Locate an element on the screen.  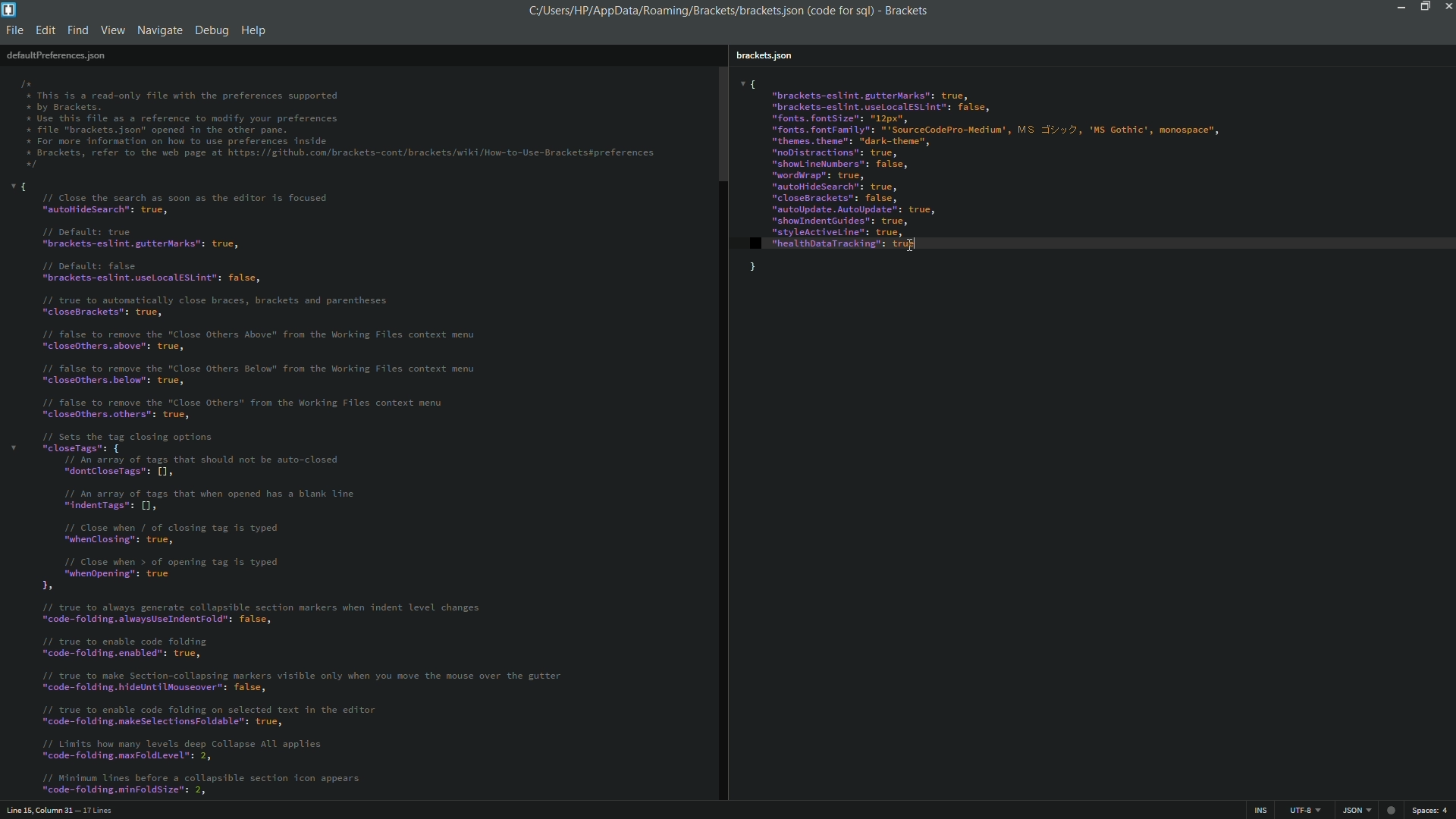
Help menu is located at coordinates (256, 30).